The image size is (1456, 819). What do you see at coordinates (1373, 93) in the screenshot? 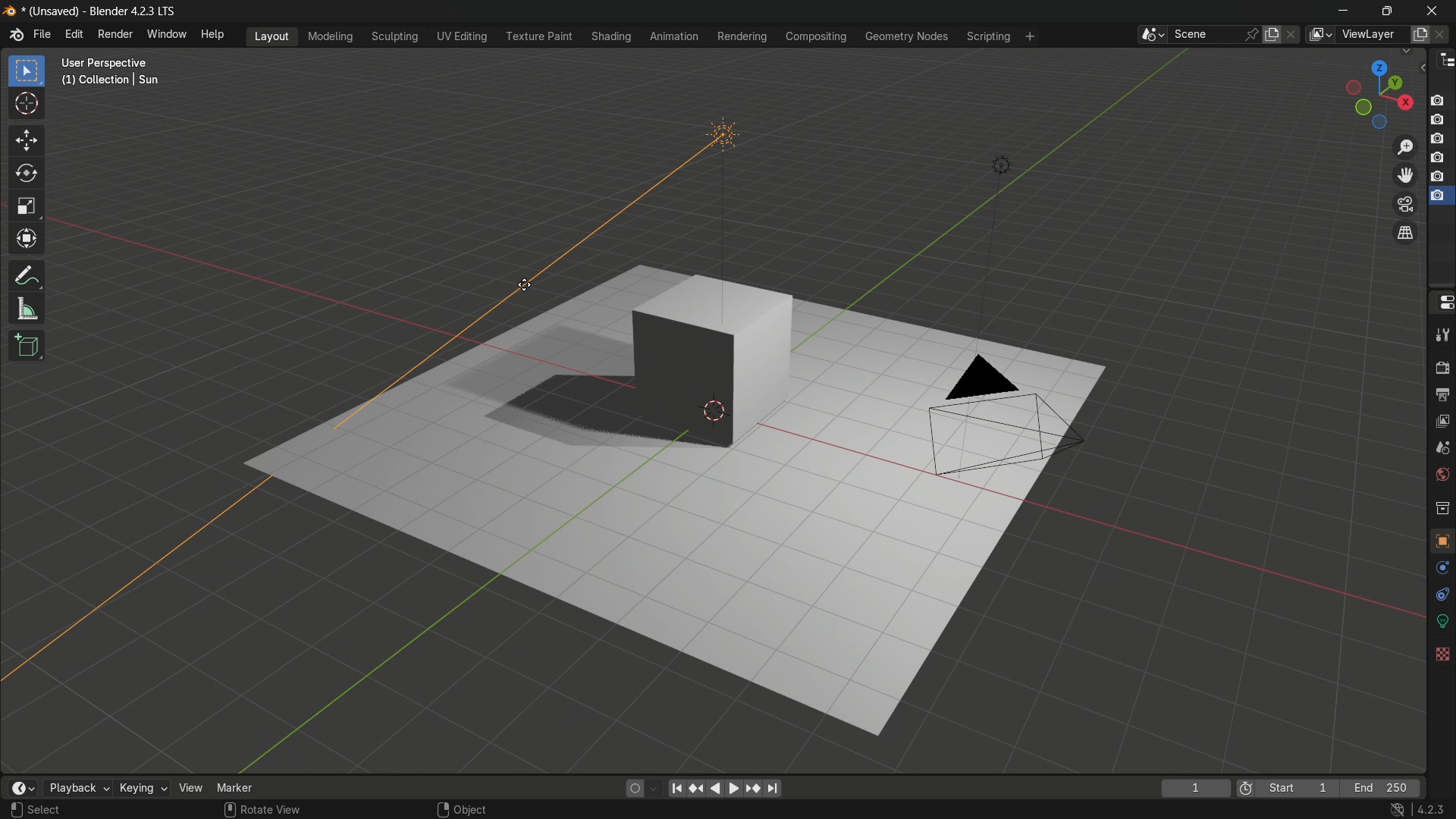
I see `rotate or preset viewpoint` at bounding box center [1373, 93].